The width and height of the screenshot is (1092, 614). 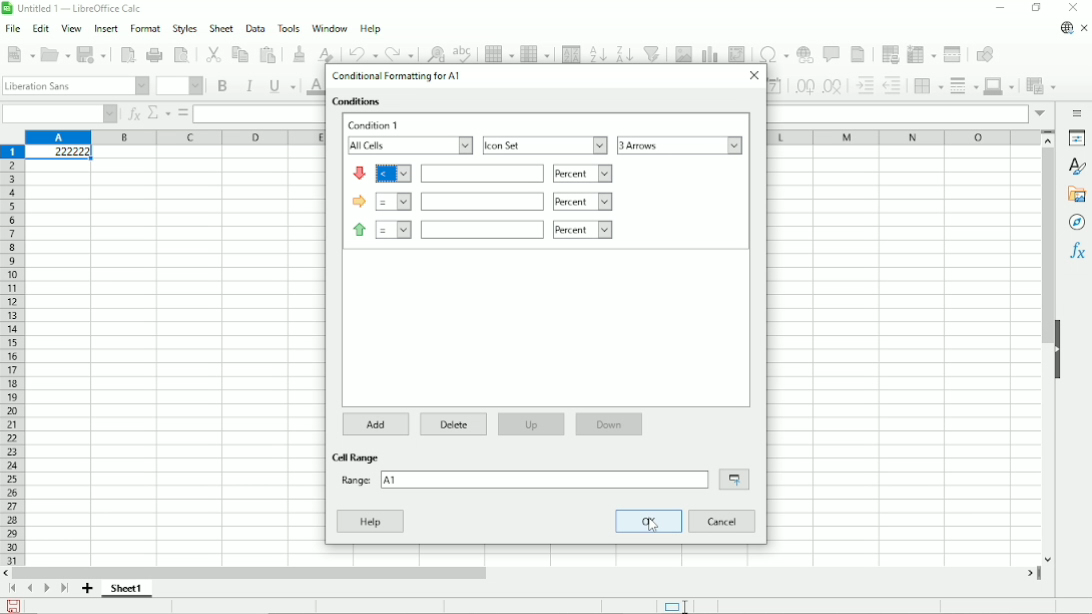 What do you see at coordinates (571, 51) in the screenshot?
I see `Sort` at bounding box center [571, 51].